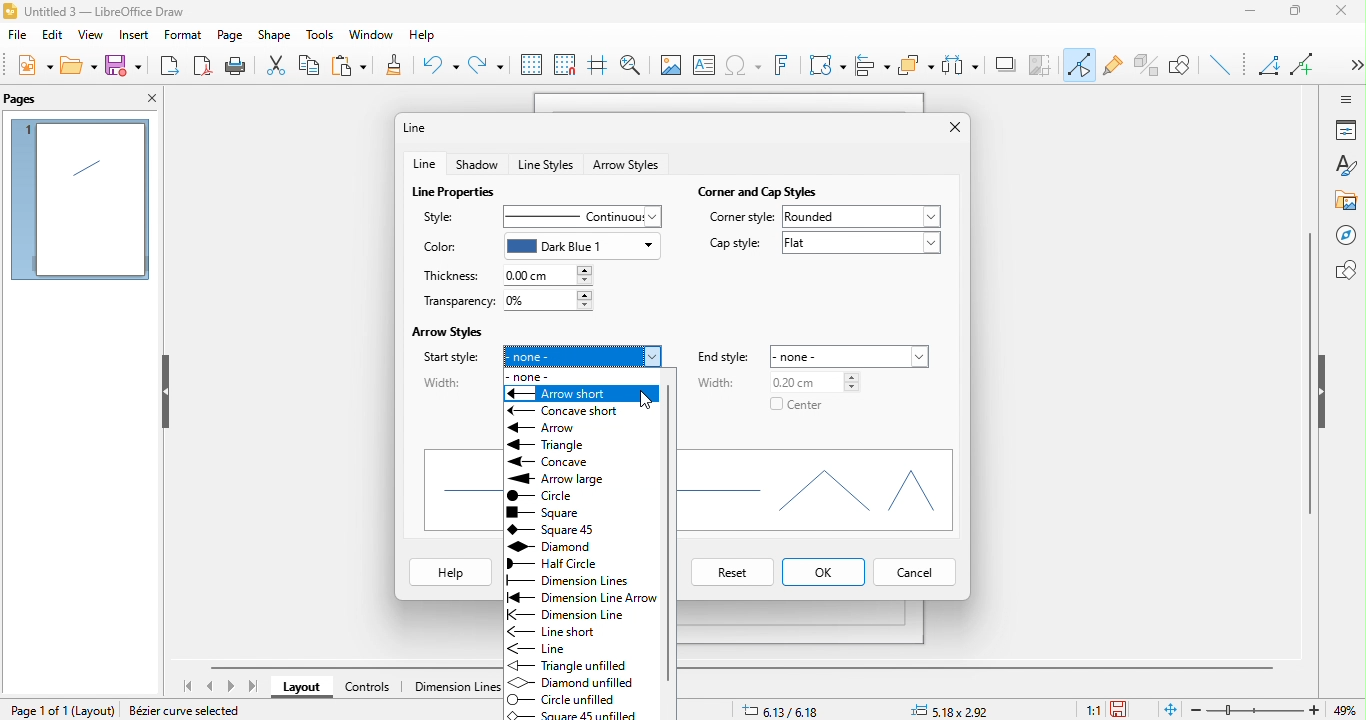 This screenshot has height=720, width=1366. Describe the element at coordinates (53, 38) in the screenshot. I see `edit` at that location.